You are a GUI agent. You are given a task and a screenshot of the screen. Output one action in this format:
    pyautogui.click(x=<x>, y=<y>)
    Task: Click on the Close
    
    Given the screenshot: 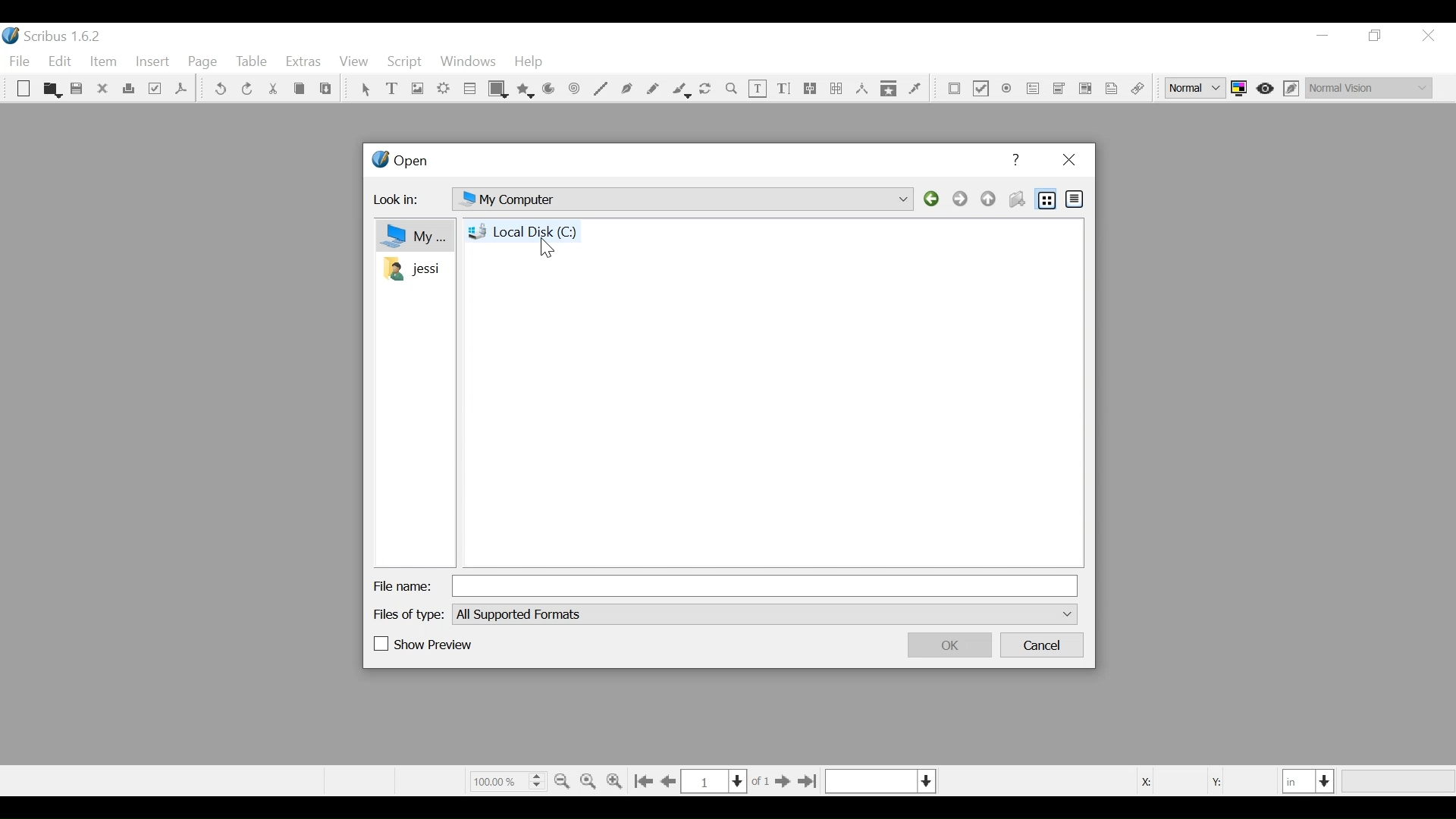 What is the action you would take?
    pyautogui.click(x=1068, y=161)
    